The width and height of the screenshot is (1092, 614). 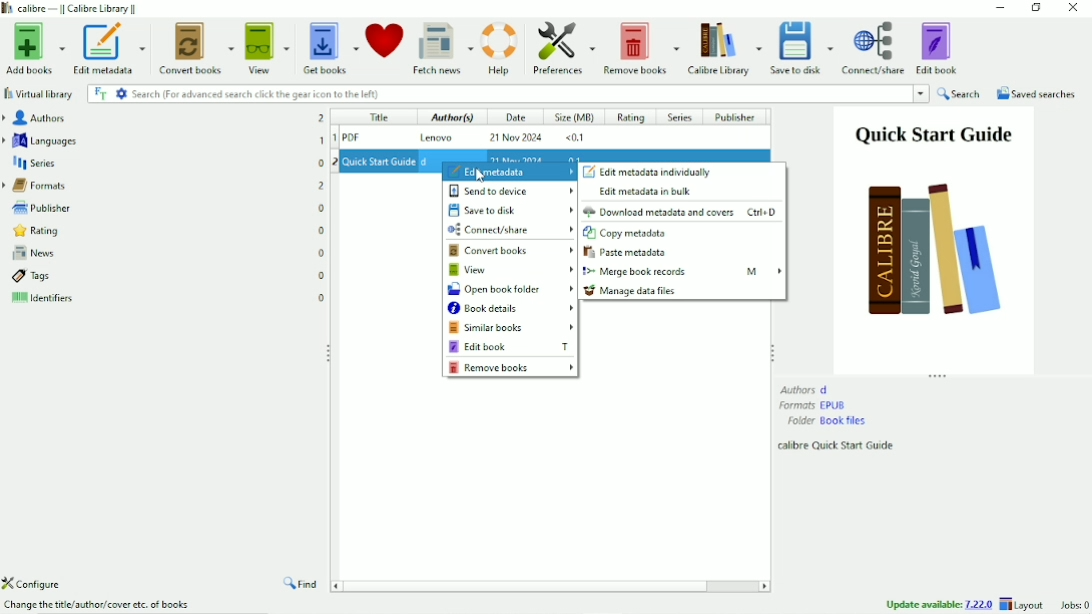 What do you see at coordinates (682, 271) in the screenshot?
I see `Merge book records` at bounding box center [682, 271].